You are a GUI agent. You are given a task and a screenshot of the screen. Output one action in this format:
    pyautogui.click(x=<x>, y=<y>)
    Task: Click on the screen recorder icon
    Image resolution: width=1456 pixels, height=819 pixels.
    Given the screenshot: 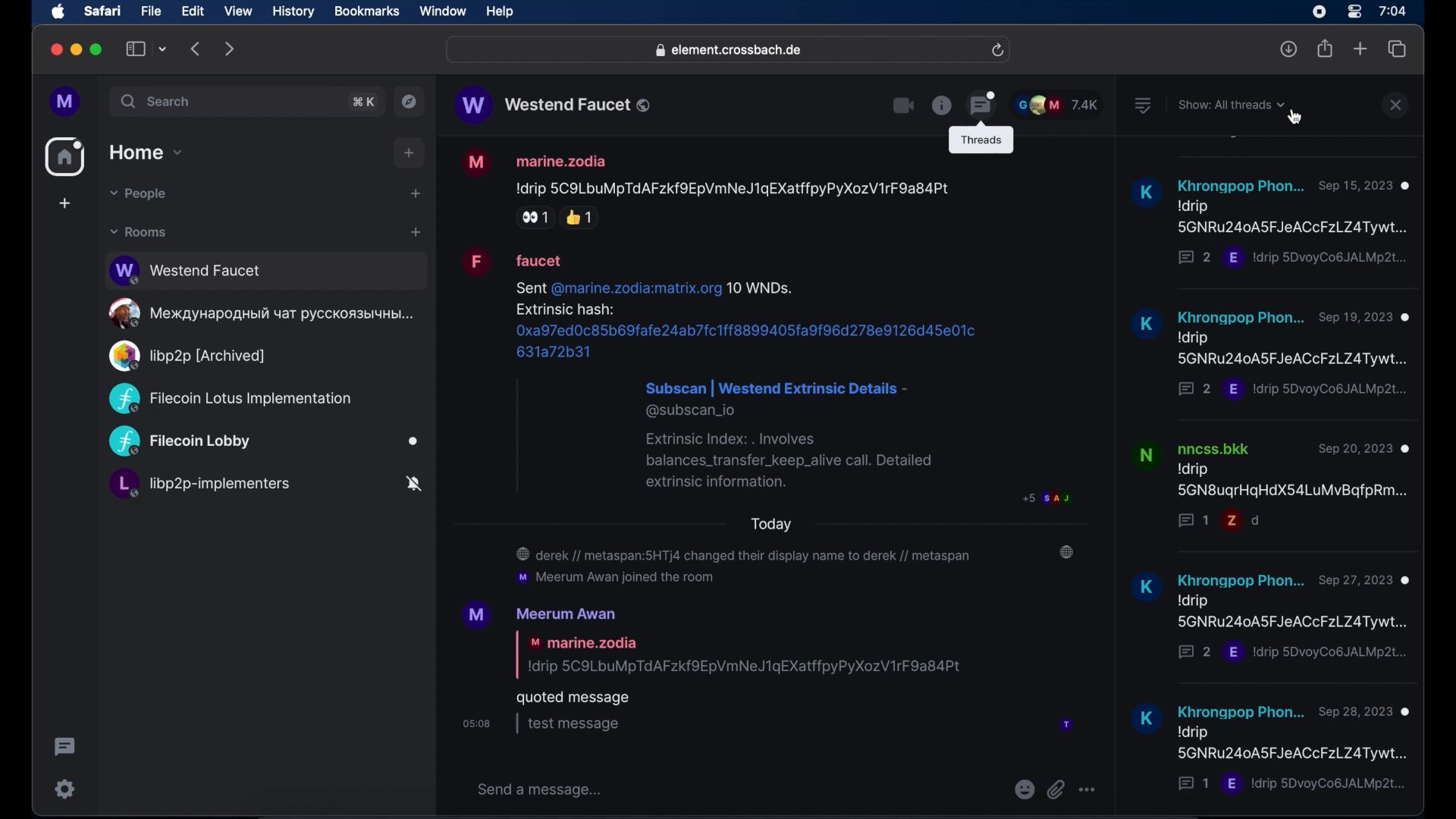 What is the action you would take?
    pyautogui.click(x=1319, y=13)
    